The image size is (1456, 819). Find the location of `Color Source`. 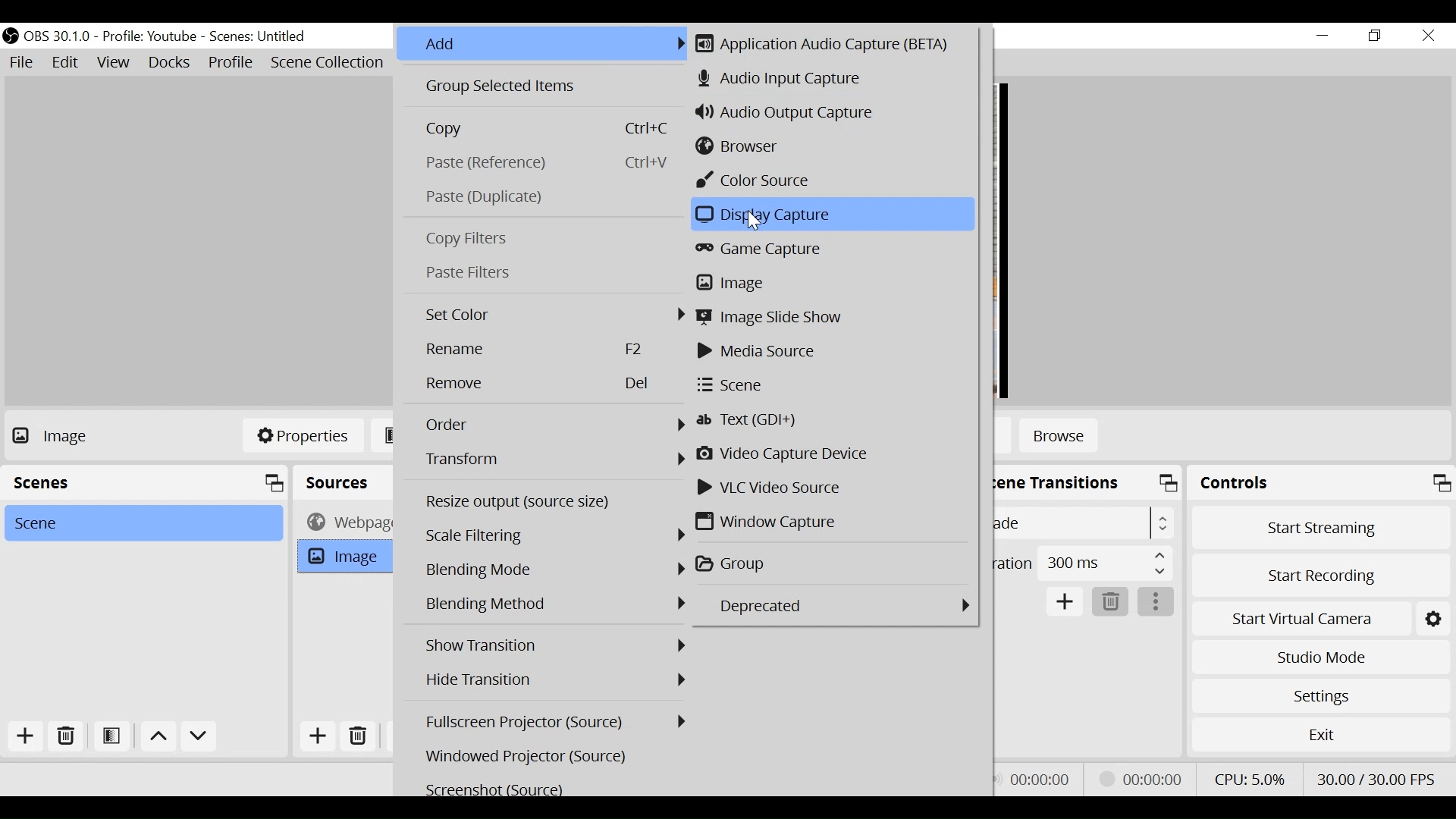

Color Source is located at coordinates (830, 180).